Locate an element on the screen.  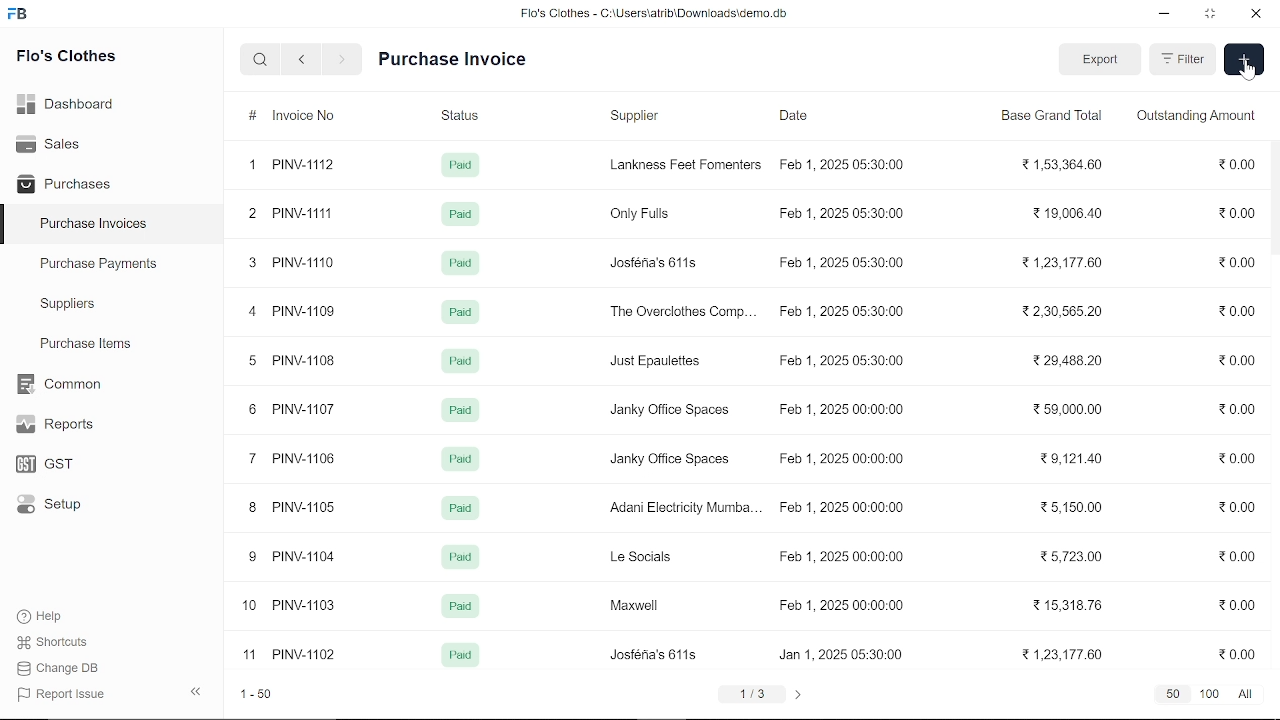
8 PINV-1105 Paid Adani Electricity Mumba... Feb 1, 2025 00:00:00 25,150.00 0.00 is located at coordinates (755, 512).